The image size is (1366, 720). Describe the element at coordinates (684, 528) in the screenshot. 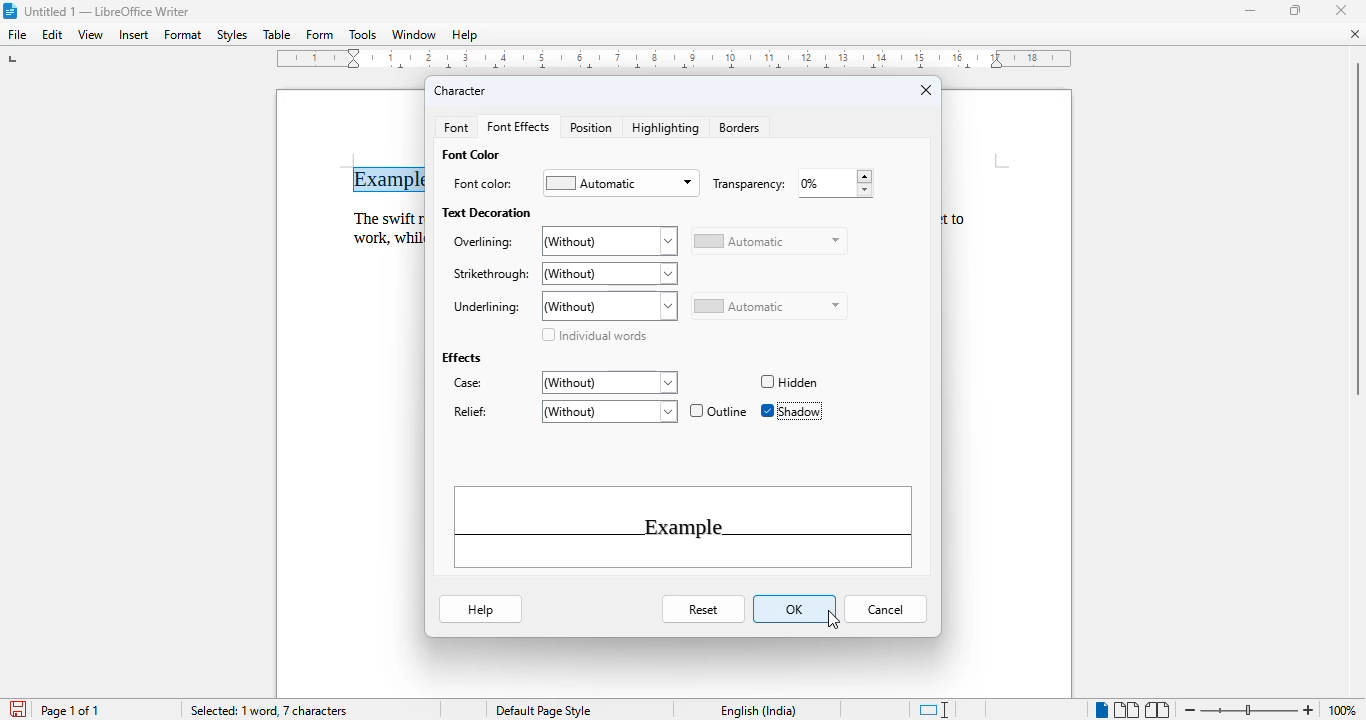

I see `Example (preview)` at that location.